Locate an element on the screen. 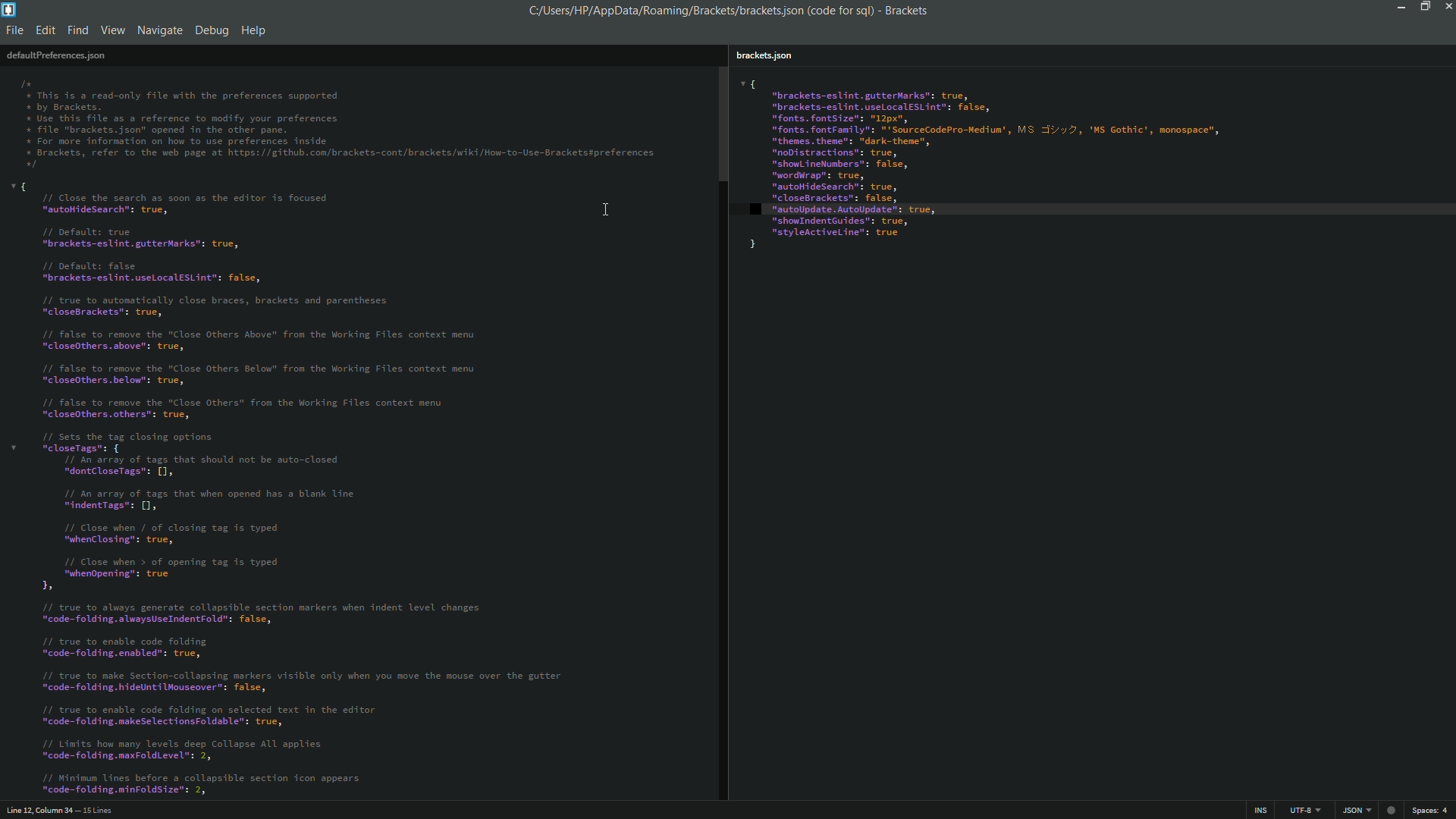  vi
"brackets-eslint. gutterMarks": true,
“brackets-eslint.useLocalESLint": false,
“fonts. fontSize": "12px",
“fonts. fontFamily": "'SourceCodePro-Hediun', MS Tfi/y%, 'MS Gothic’, monospace",
“themes. theme": "dark-thene",
“noDistractions": true,
“showLineNunbers": false,
"wordWrap": true,
“autoHideSearch: true,
“closeBrackets": false,
“autoUpdate. AutoUpdate": true,
“showIndentGuides: true,
“styleActiveLine": true

3 is located at coordinates (1088, 170).